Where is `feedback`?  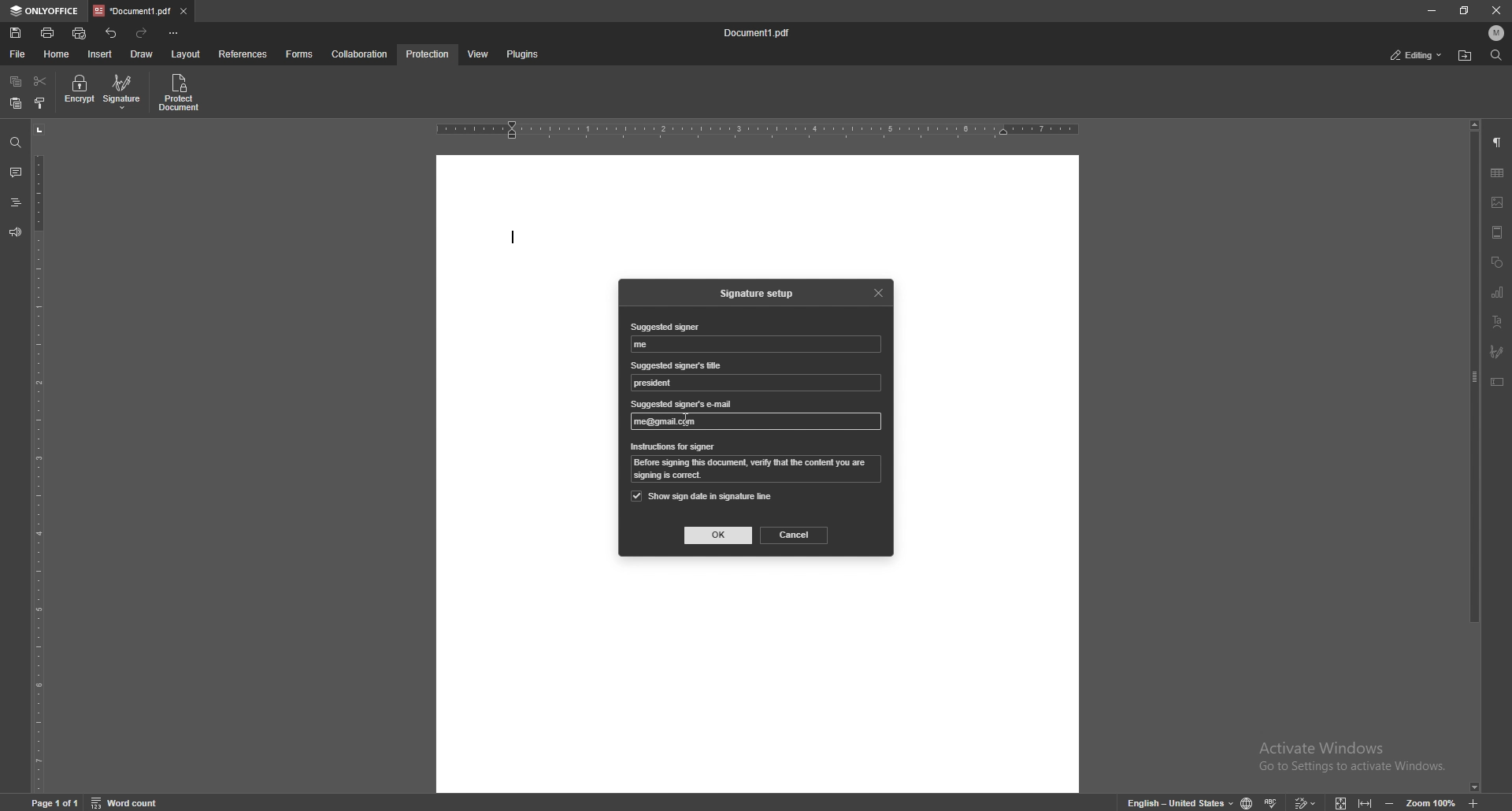 feedback is located at coordinates (14, 232).